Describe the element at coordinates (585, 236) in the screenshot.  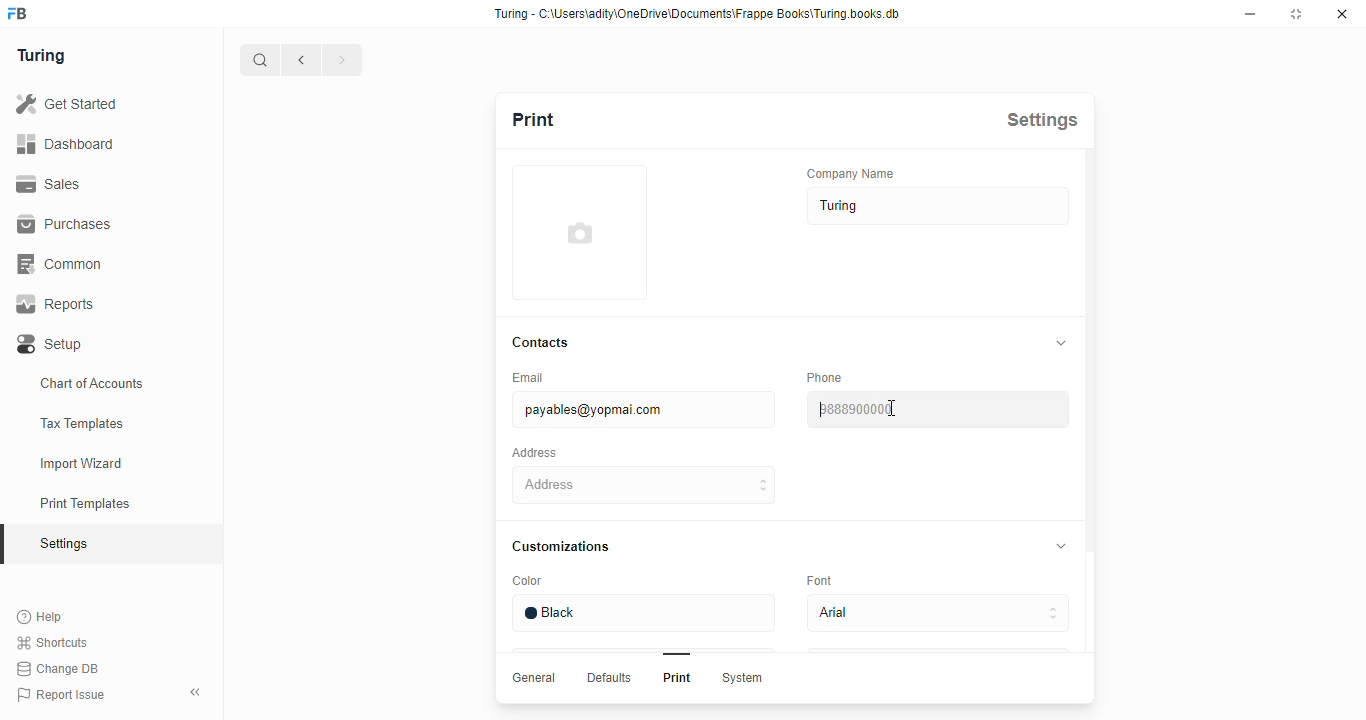
I see `add profile image` at that location.